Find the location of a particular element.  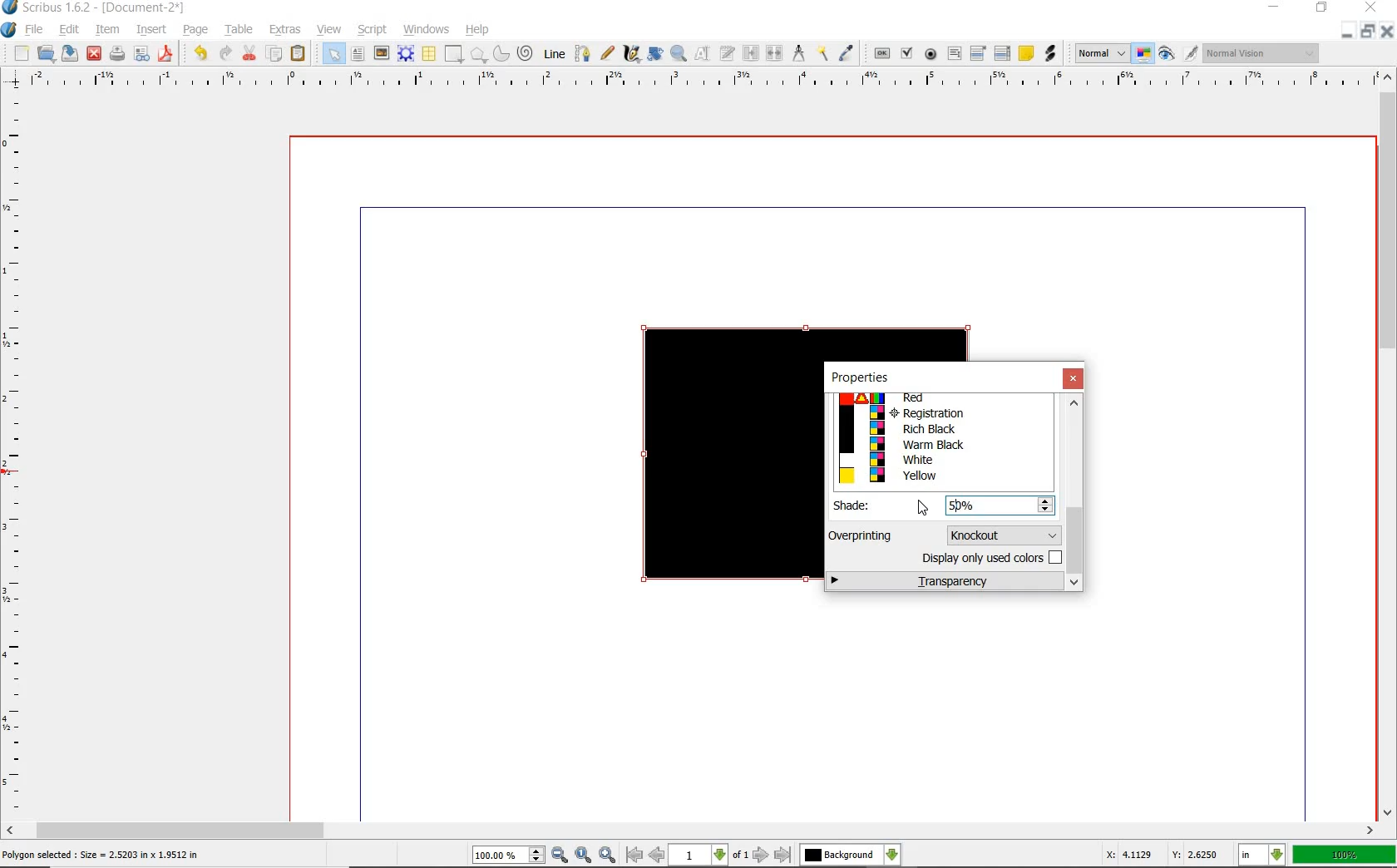

shape is located at coordinates (454, 53).